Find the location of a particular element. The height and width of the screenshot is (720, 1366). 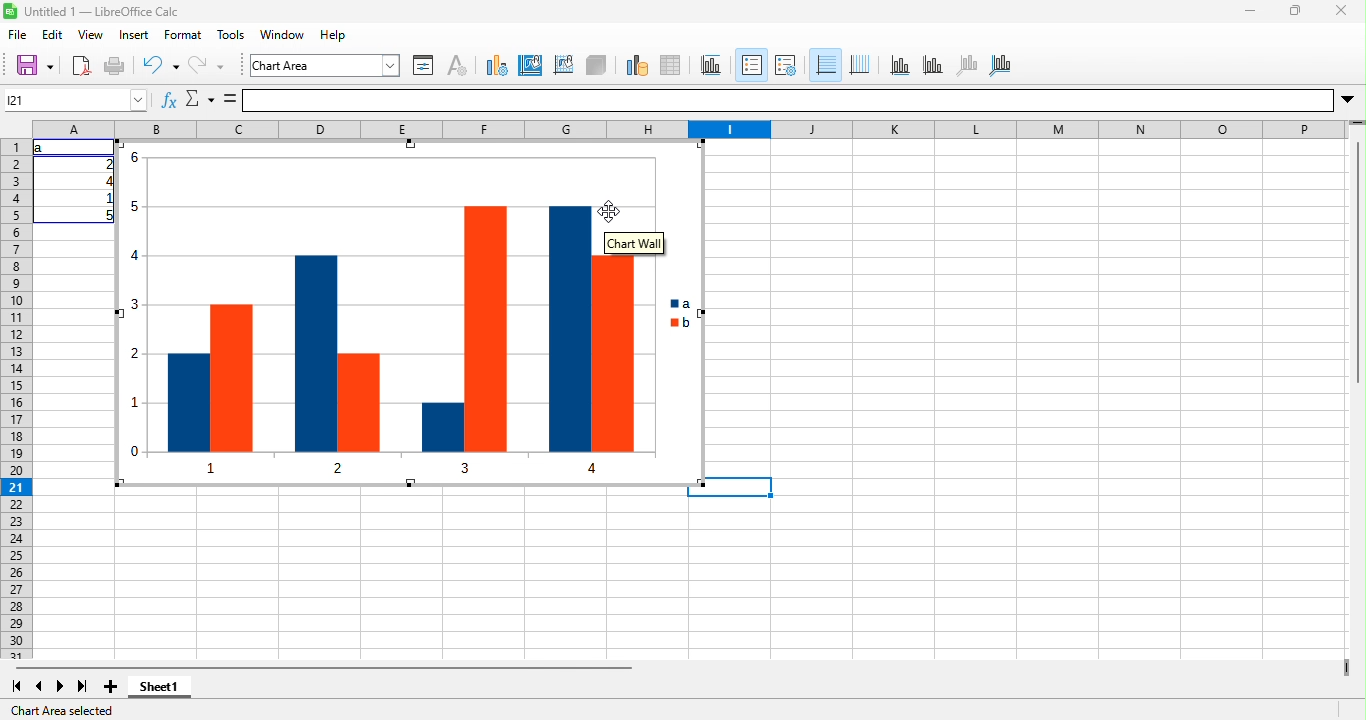

chart wall is located at coordinates (564, 67).